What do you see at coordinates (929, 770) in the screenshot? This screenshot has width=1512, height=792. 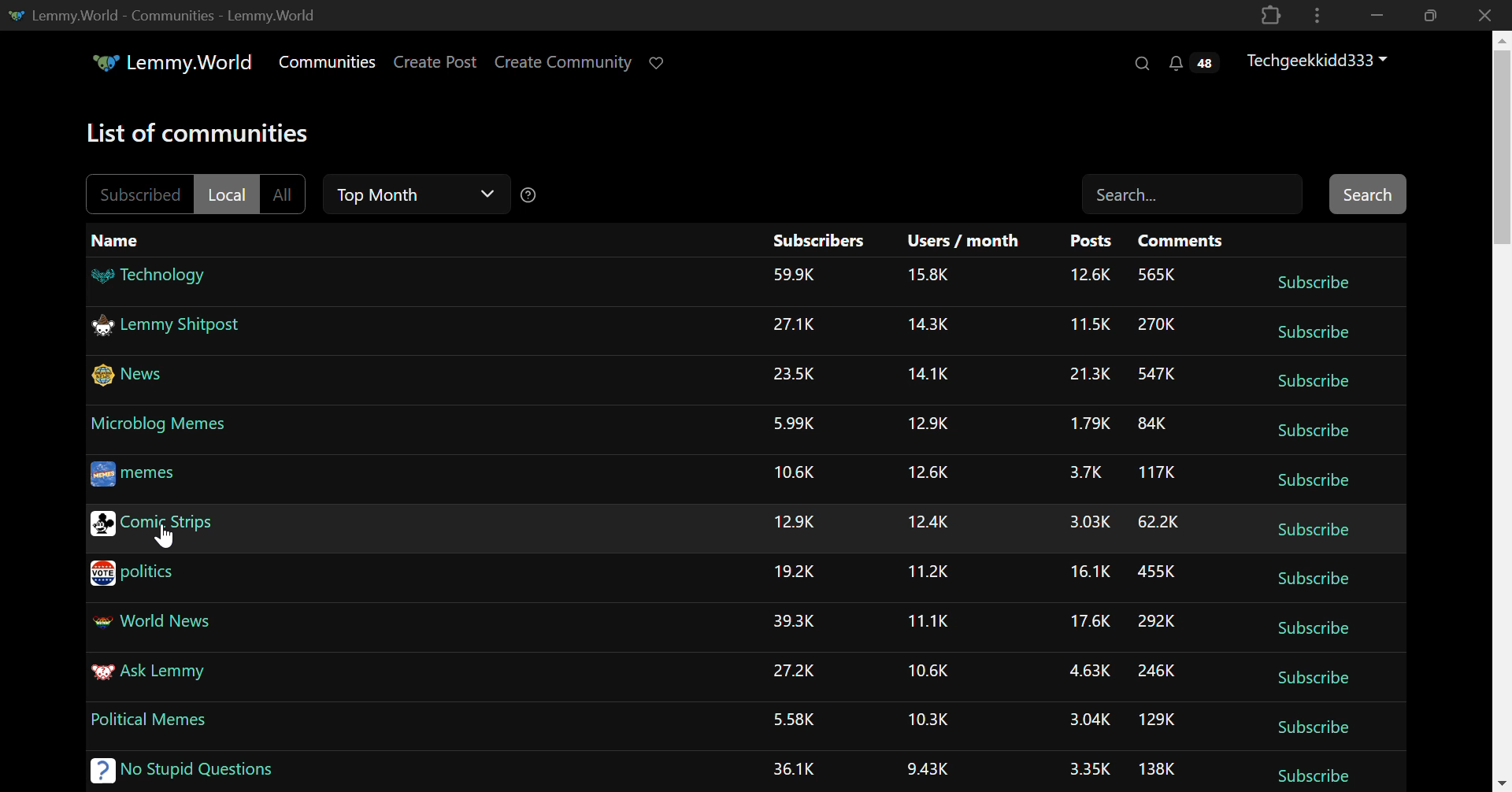 I see `9.43K` at bounding box center [929, 770].